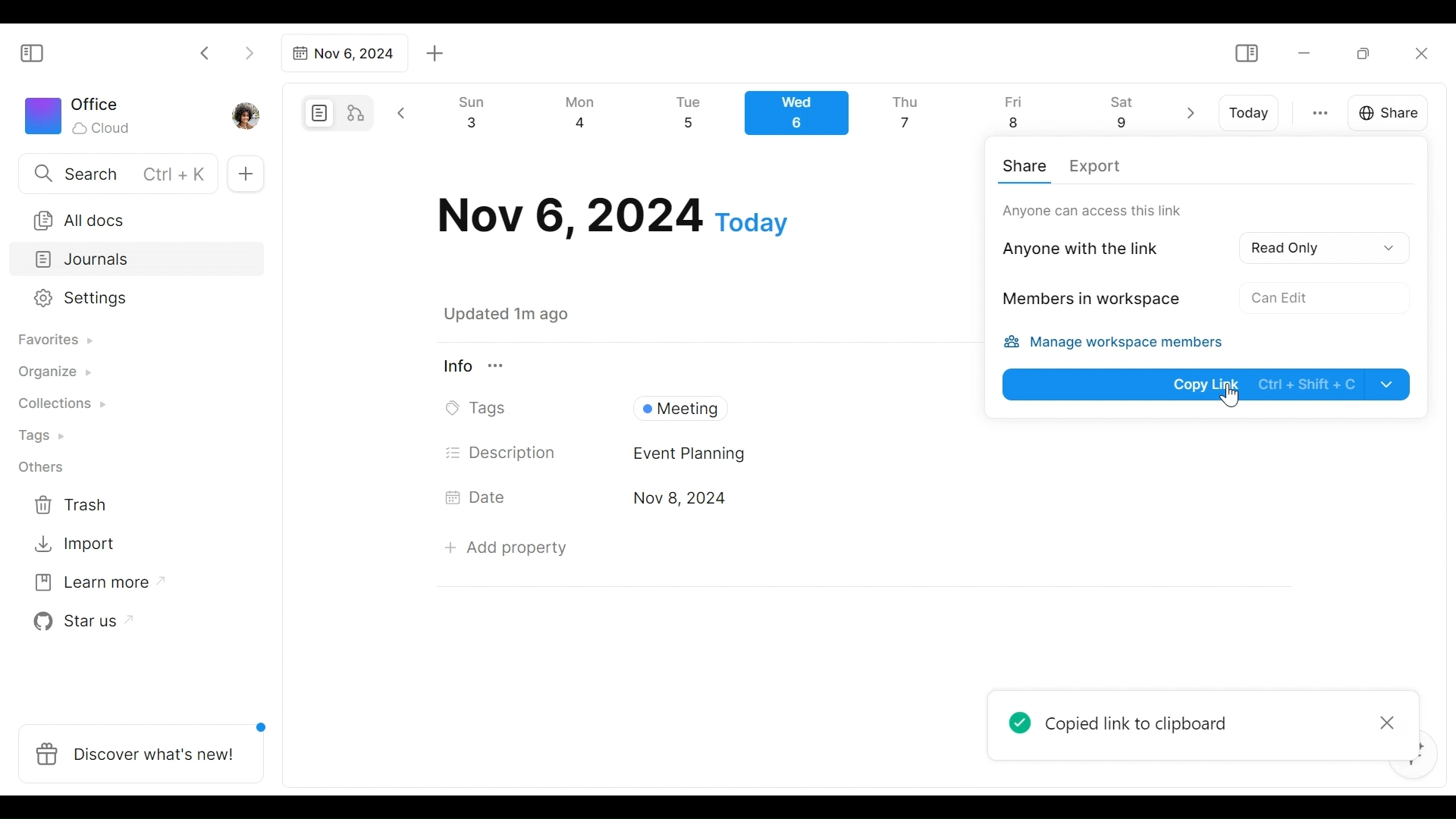 The width and height of the screenshot is (1456, 819). Describe the element at coordinates (39, 52) in the screenshot. I see `Show/Hide Sidebar` at that location.